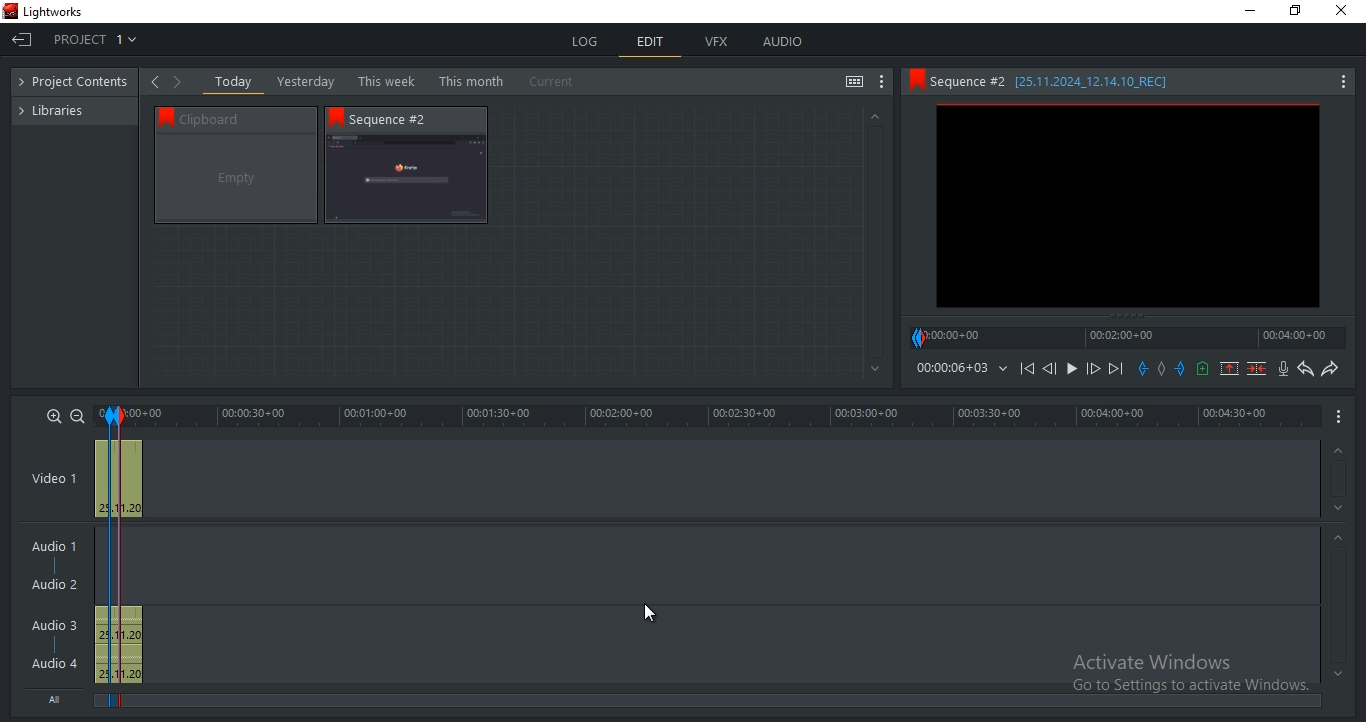  What do you see at coordinates (406, 180) in the screenshot?
I see `sequence 2` at bounding box center [406, 180].